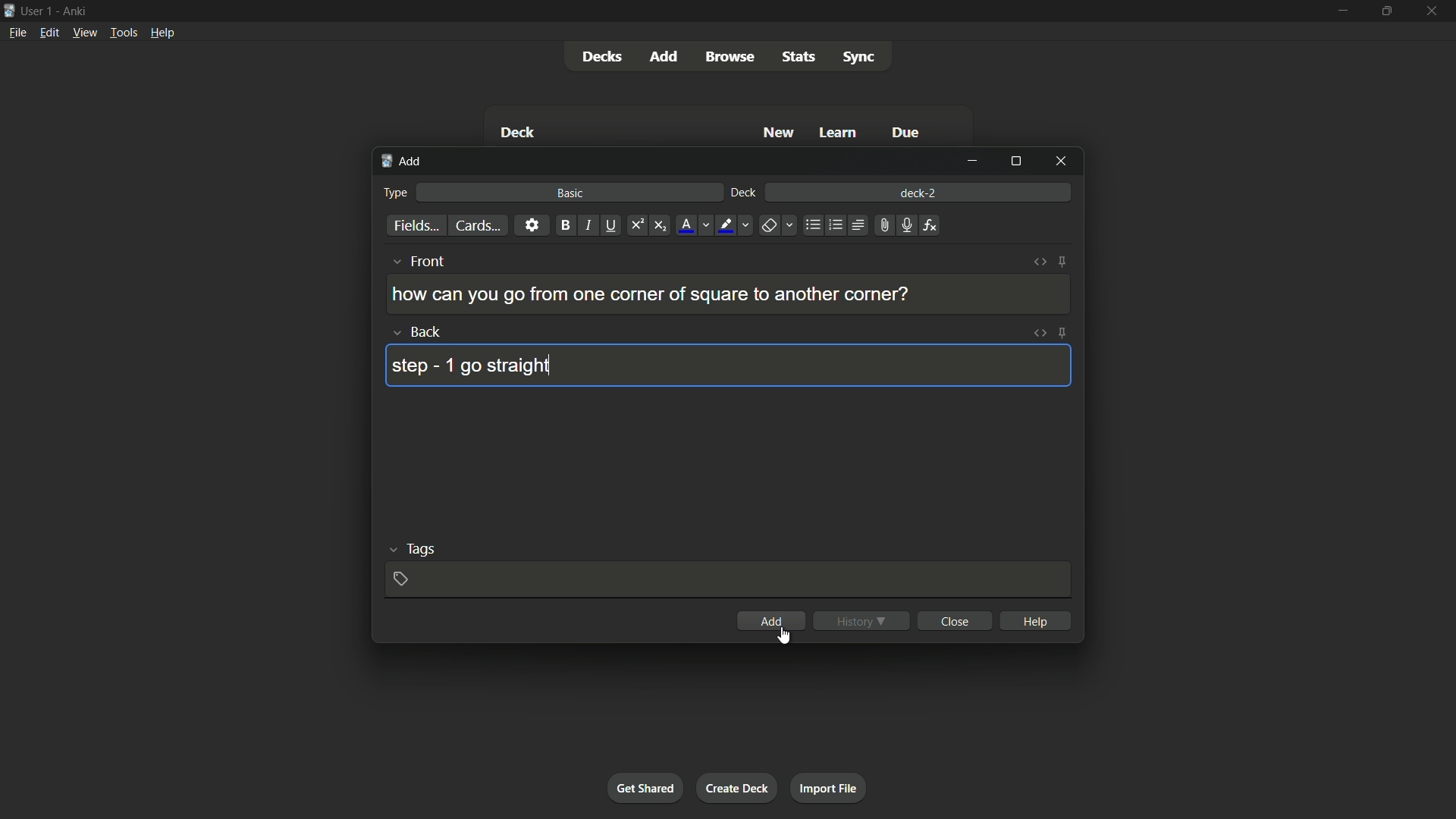 The width and height of the screenshot is (1456, 819). What do you see at coordinates (1040, 331) in the screenshot?
I see `toggle html editor` at bounding box center [1040, 331].